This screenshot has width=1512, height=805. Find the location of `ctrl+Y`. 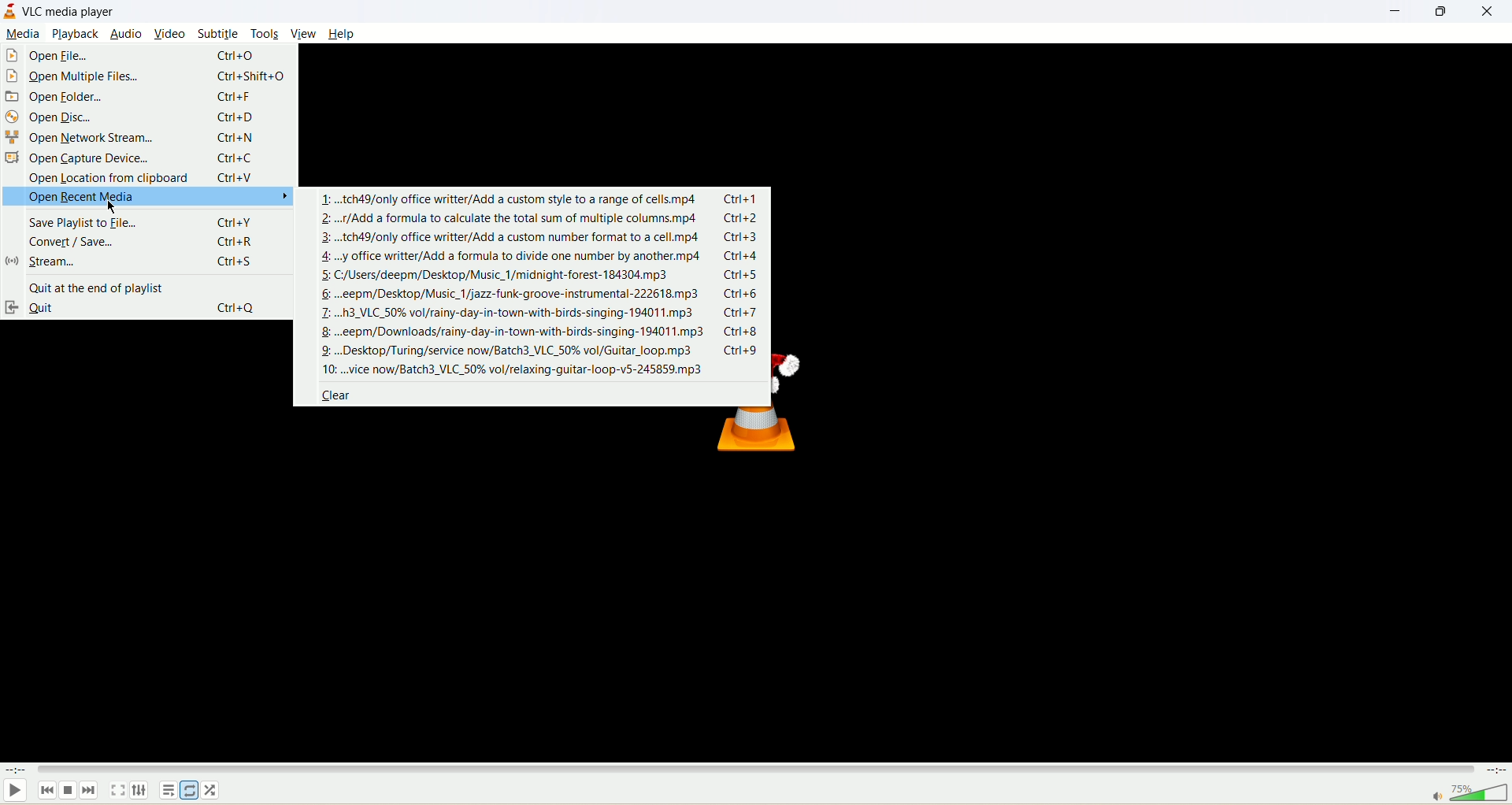

ctrl+Y is located at coordinates (235, 223).